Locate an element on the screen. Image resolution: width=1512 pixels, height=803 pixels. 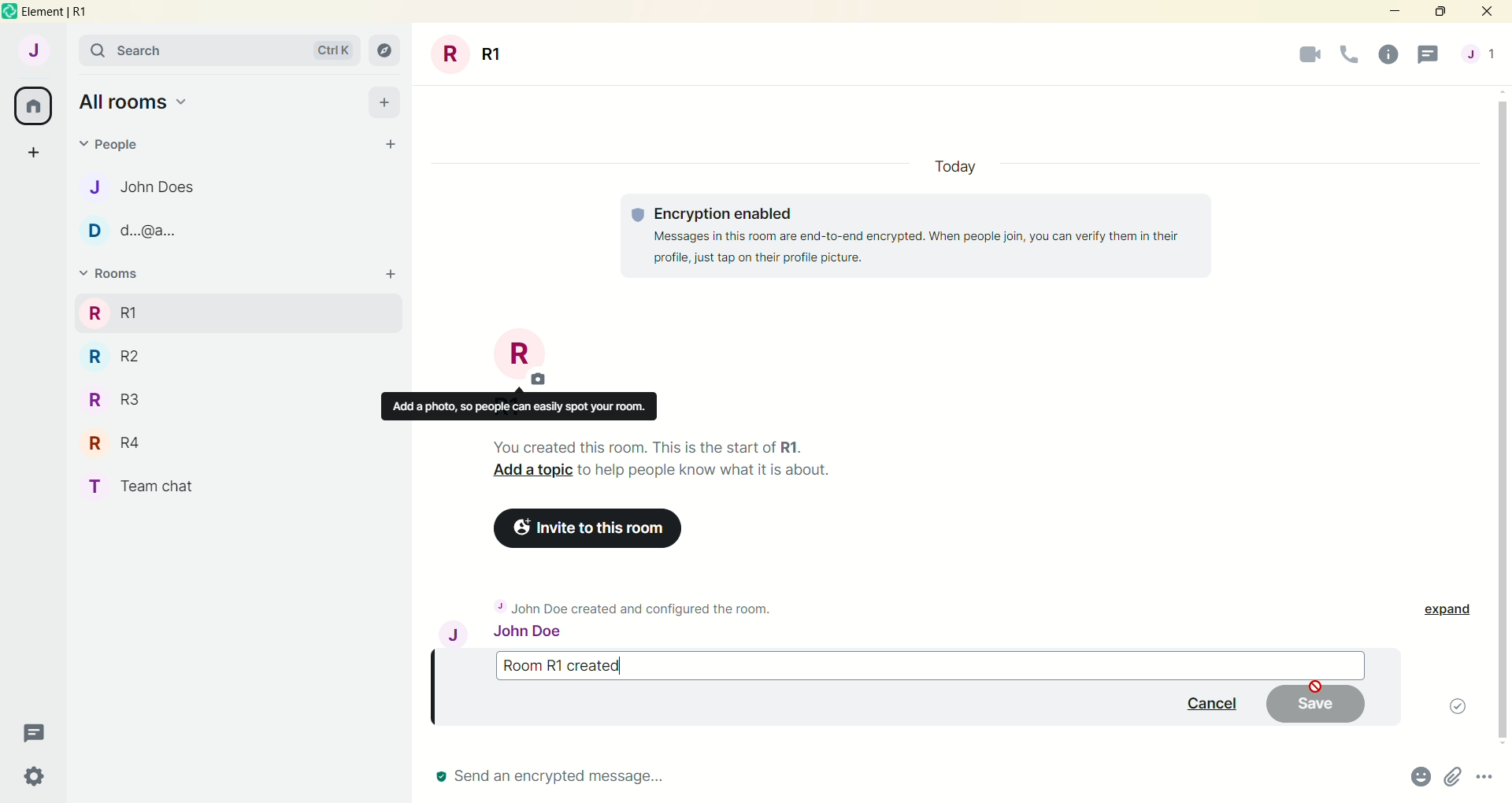
all rooms is located at coordinates (34, 106).